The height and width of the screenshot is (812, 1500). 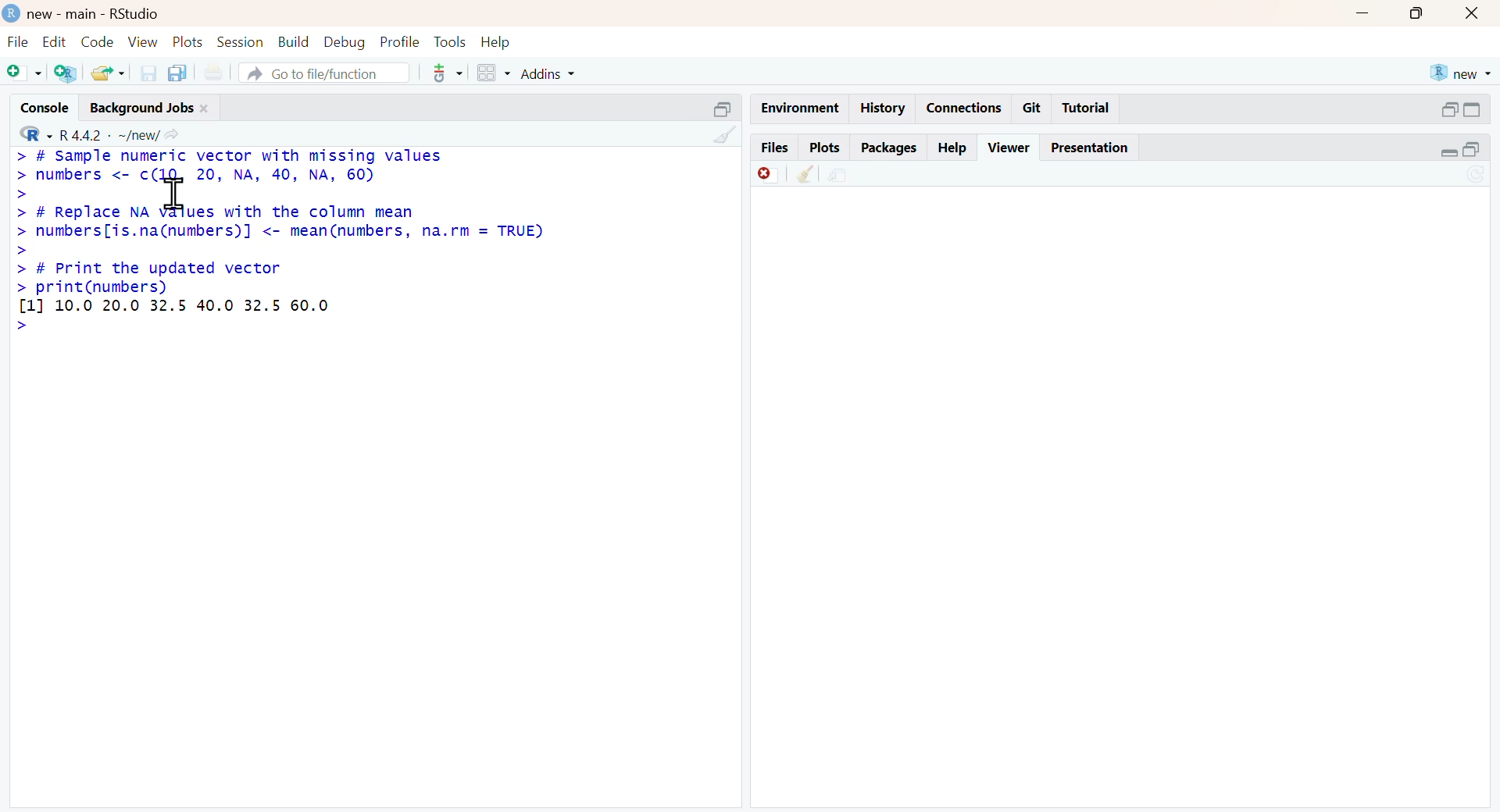 I want to click on close, so click(x=1473, y=14).